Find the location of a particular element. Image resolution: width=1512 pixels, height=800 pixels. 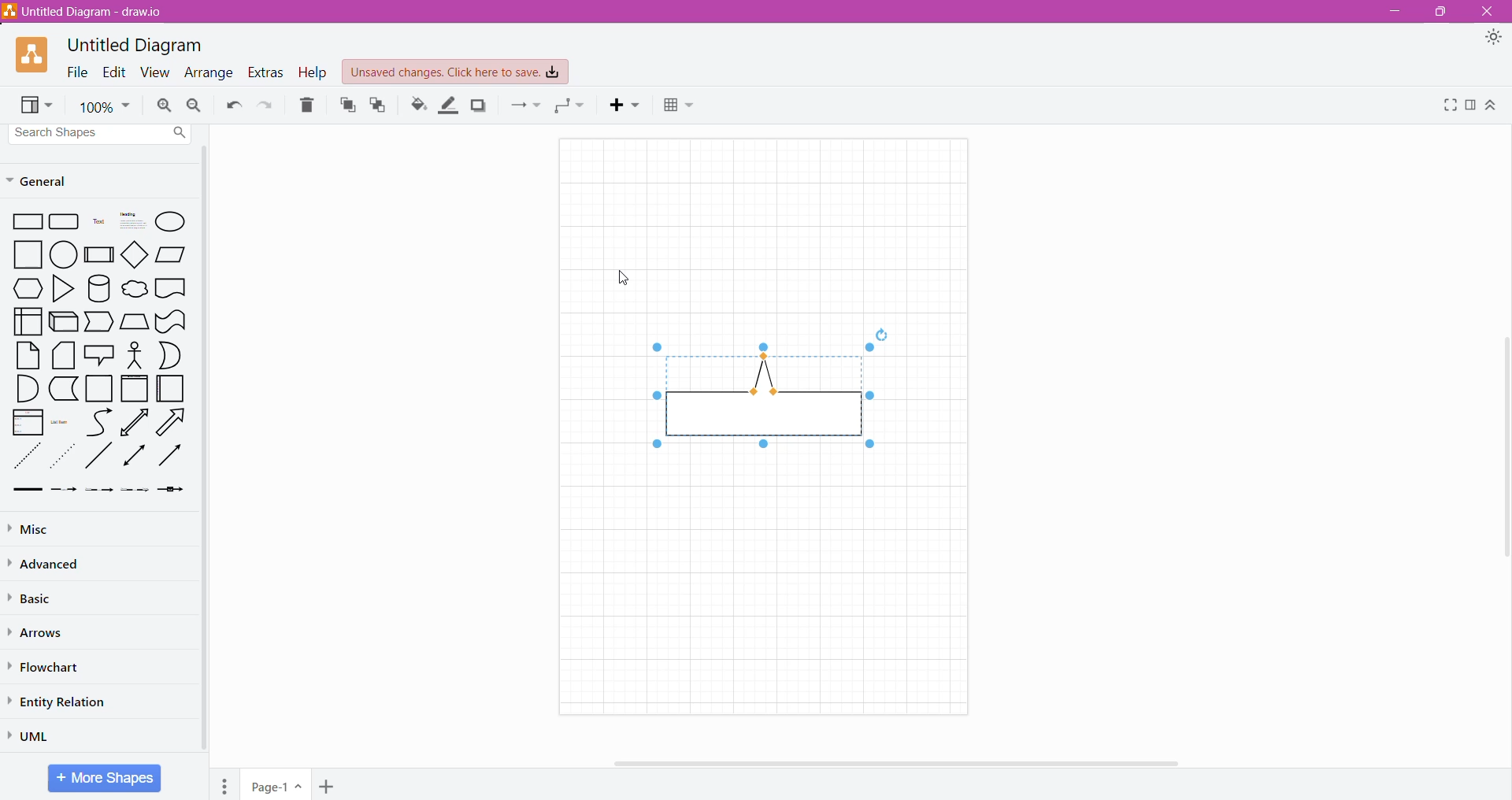

Add Page is located at coordinates (326, 786).